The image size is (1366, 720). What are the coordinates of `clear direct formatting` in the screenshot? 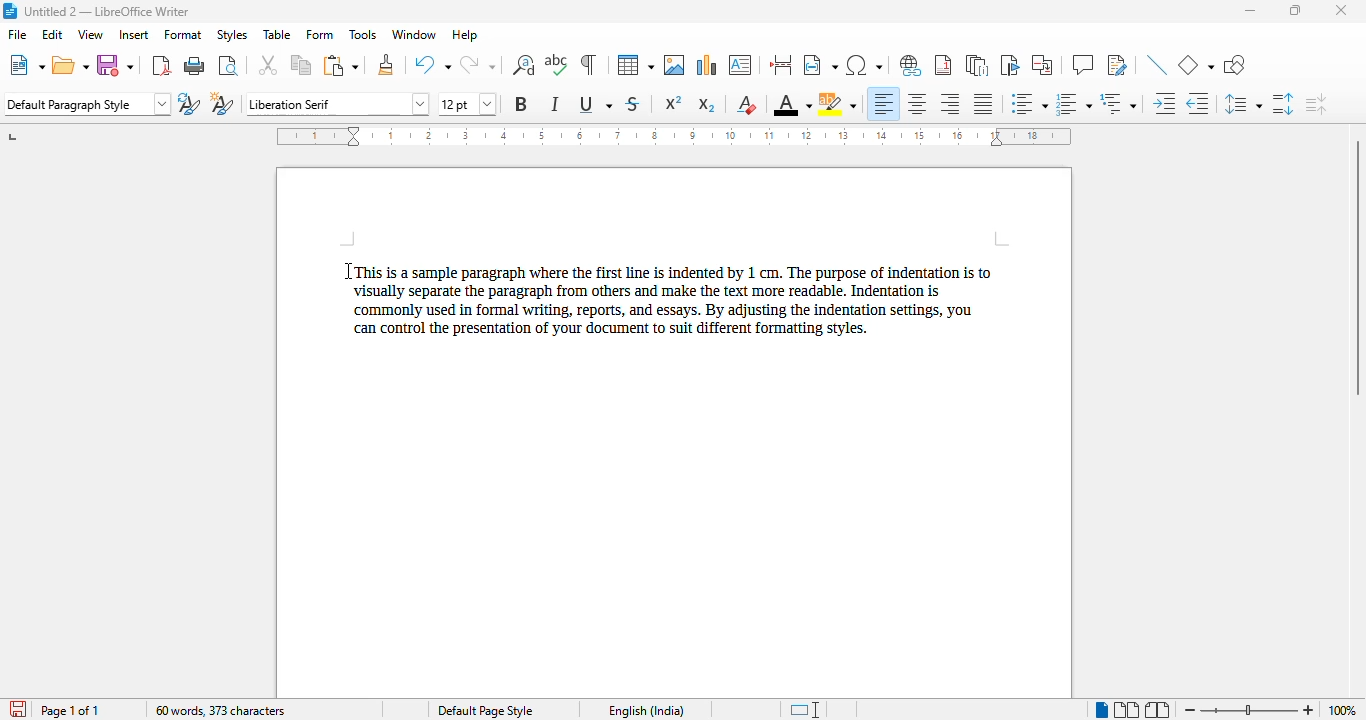 It's located at (749, 105).